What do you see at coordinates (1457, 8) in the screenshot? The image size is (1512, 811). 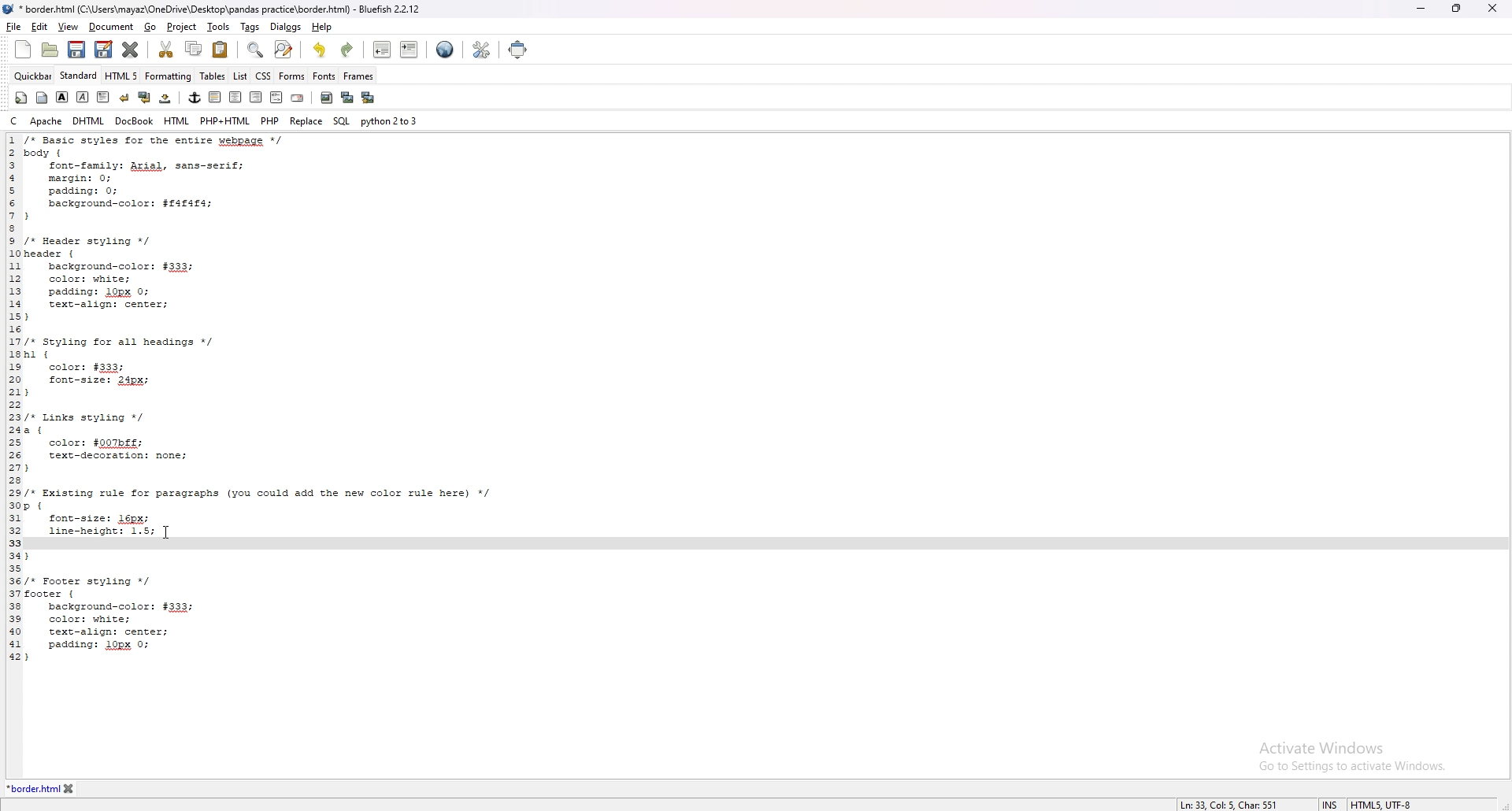 I see `resize` at bounding box center [1457, 8].